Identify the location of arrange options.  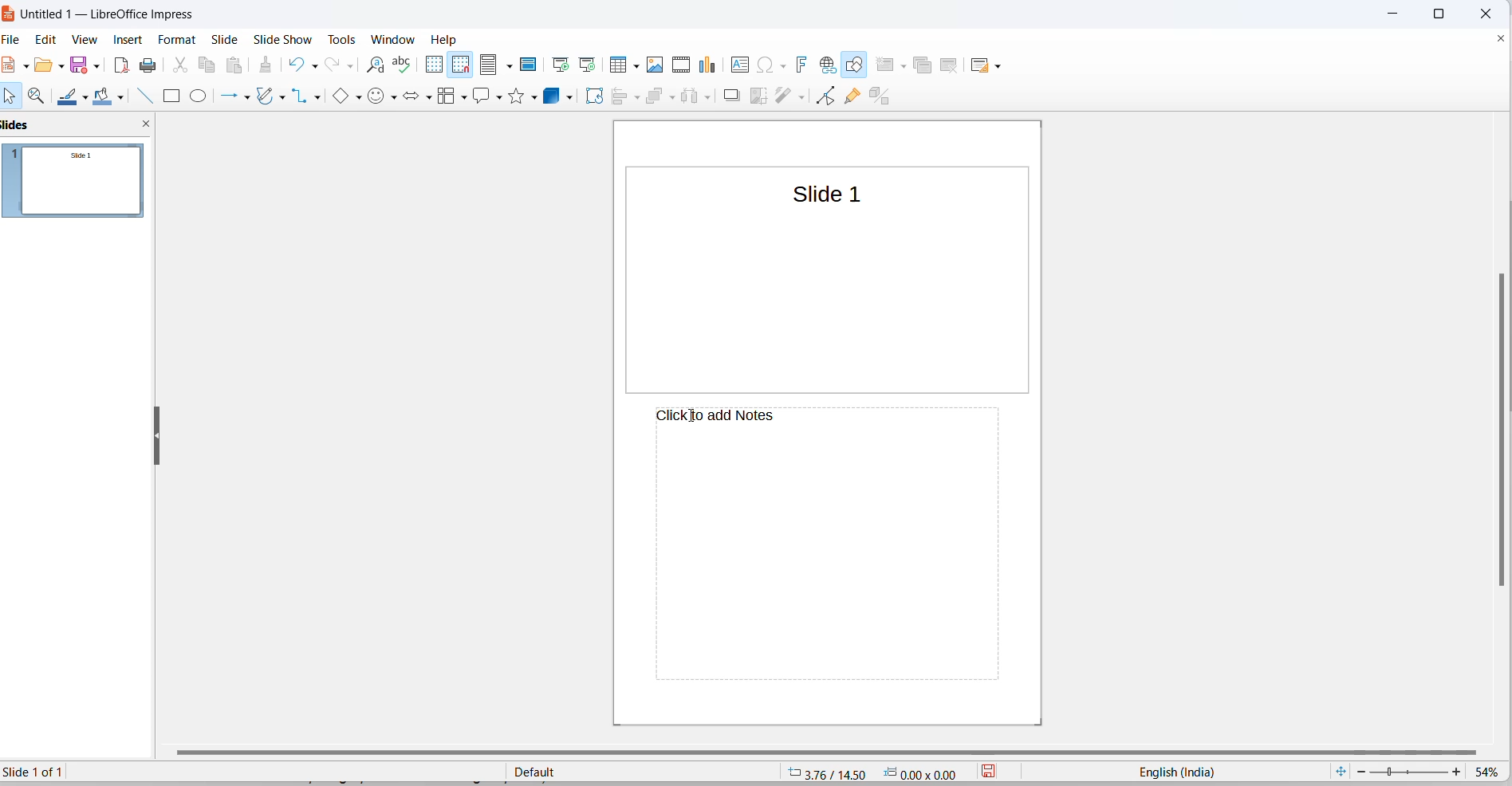
(675, 96).